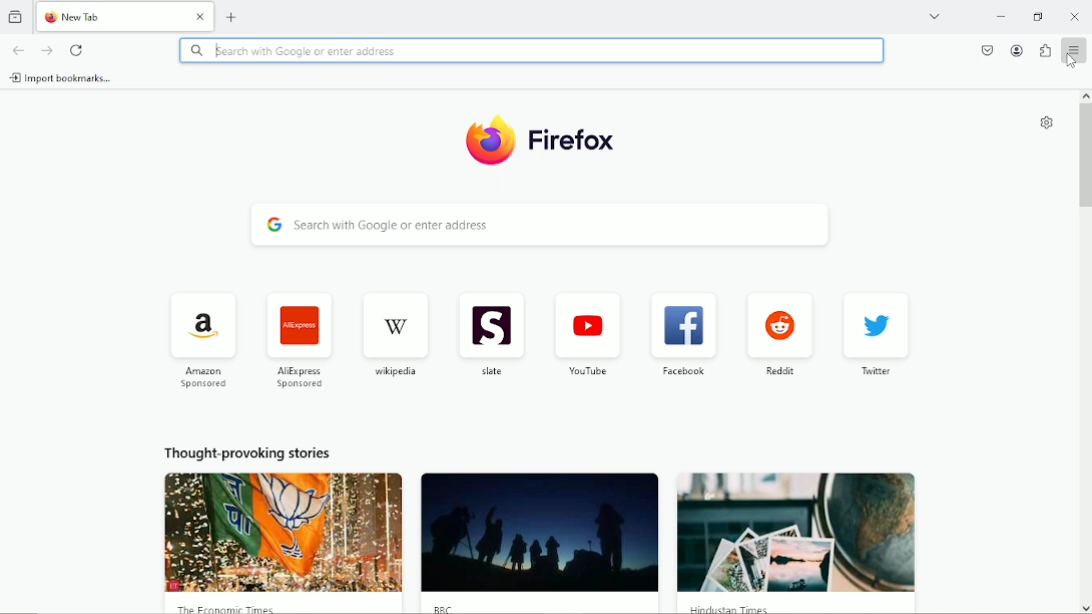 This screenshot has height=614, width=1092. I want to click on minimize, so click(998, 15).